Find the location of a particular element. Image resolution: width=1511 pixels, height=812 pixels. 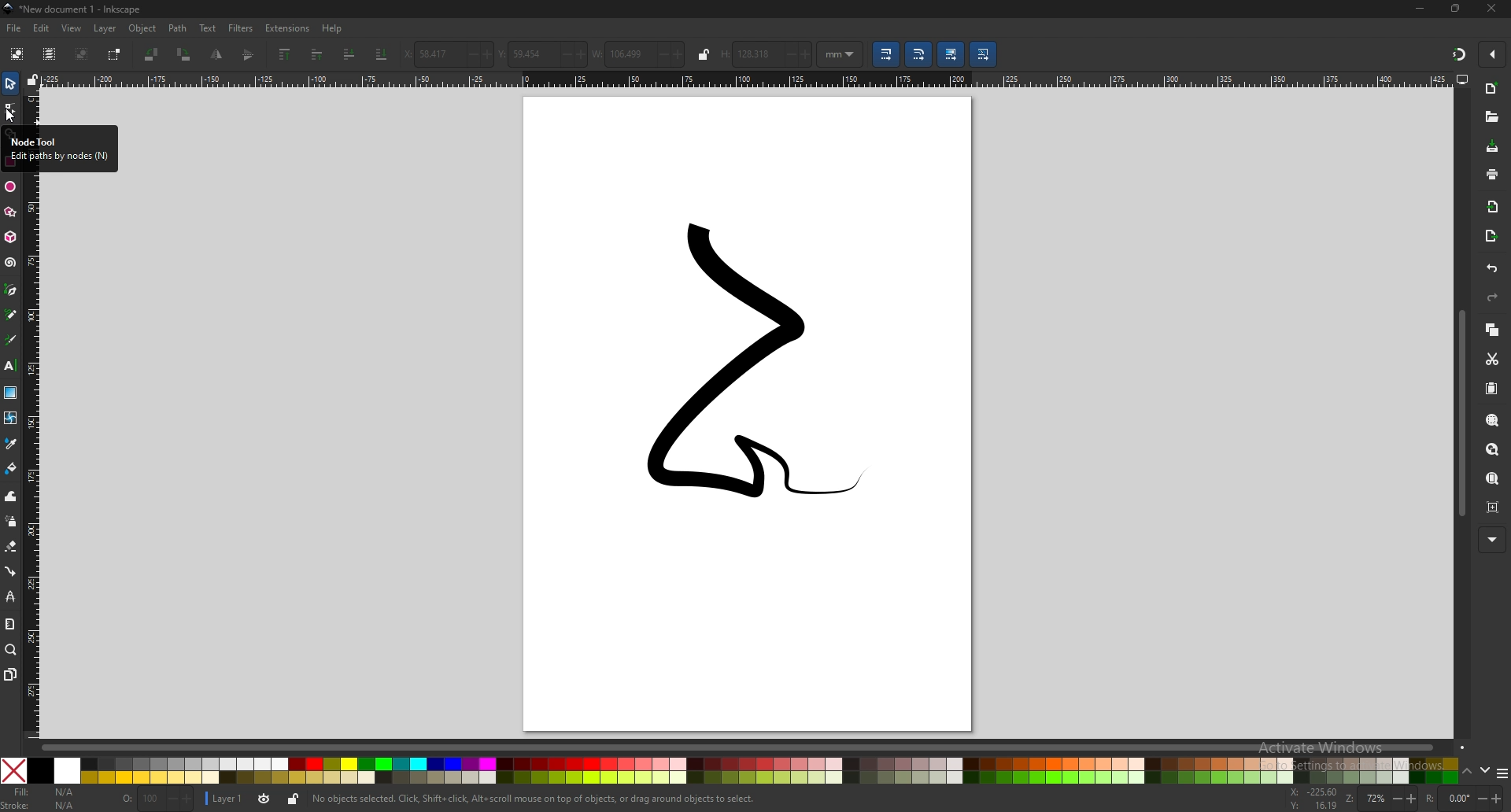

connector is located at coordinates (10, 572).